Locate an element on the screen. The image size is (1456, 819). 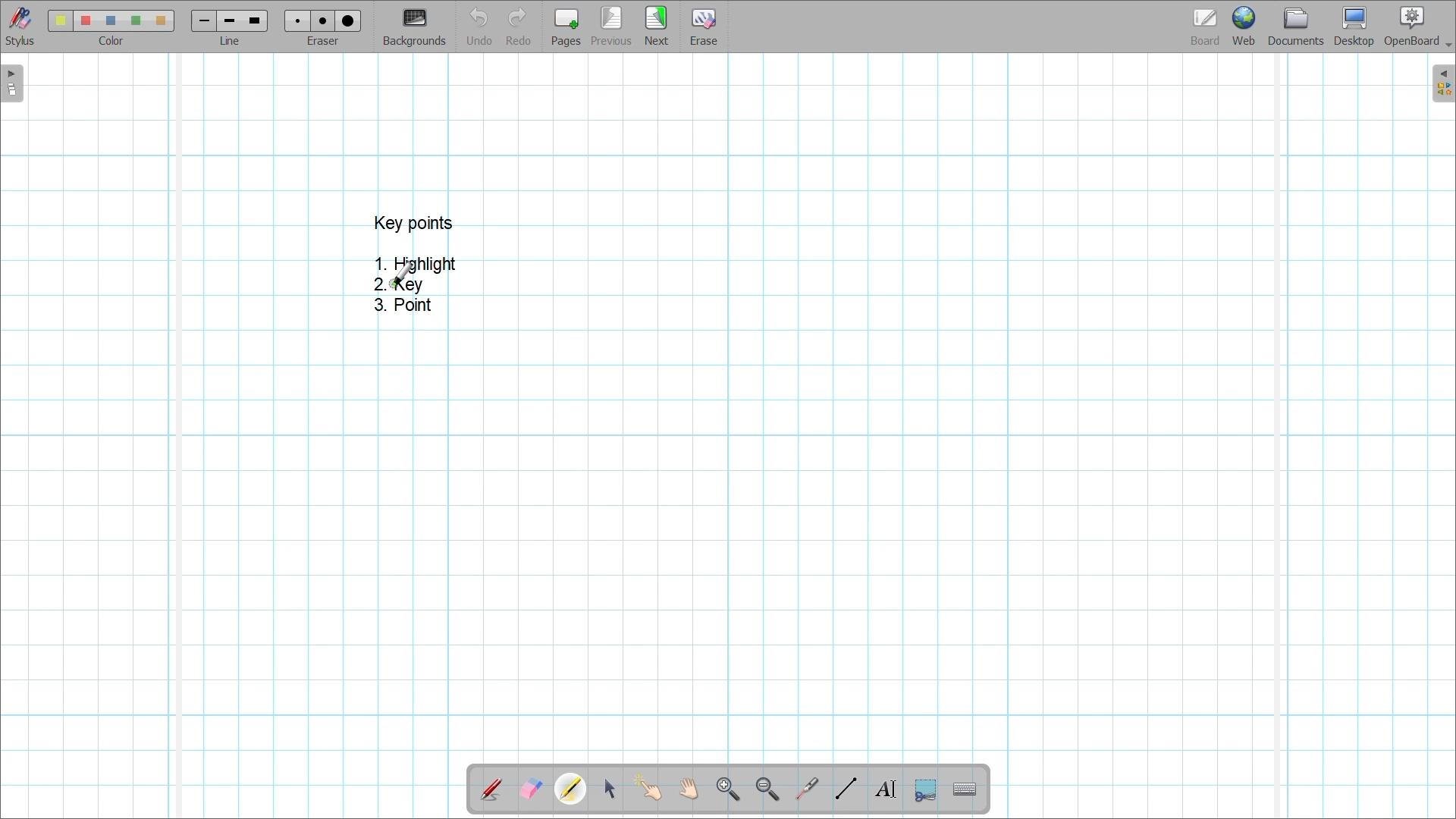
Redo is located at coordinates (519, 26).